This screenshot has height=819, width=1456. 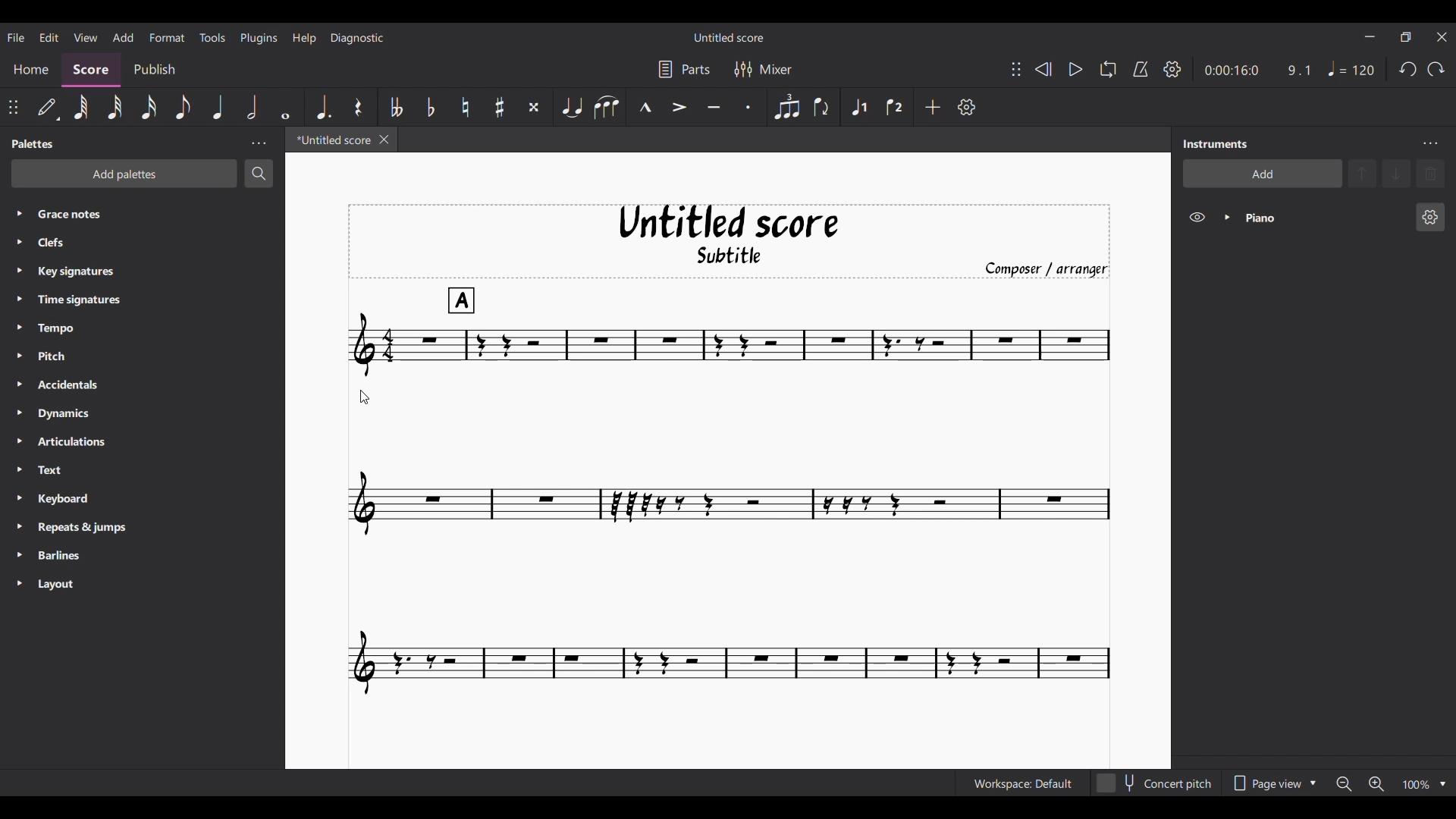 I want to click on Keyboard, so click(x=82, y=500).